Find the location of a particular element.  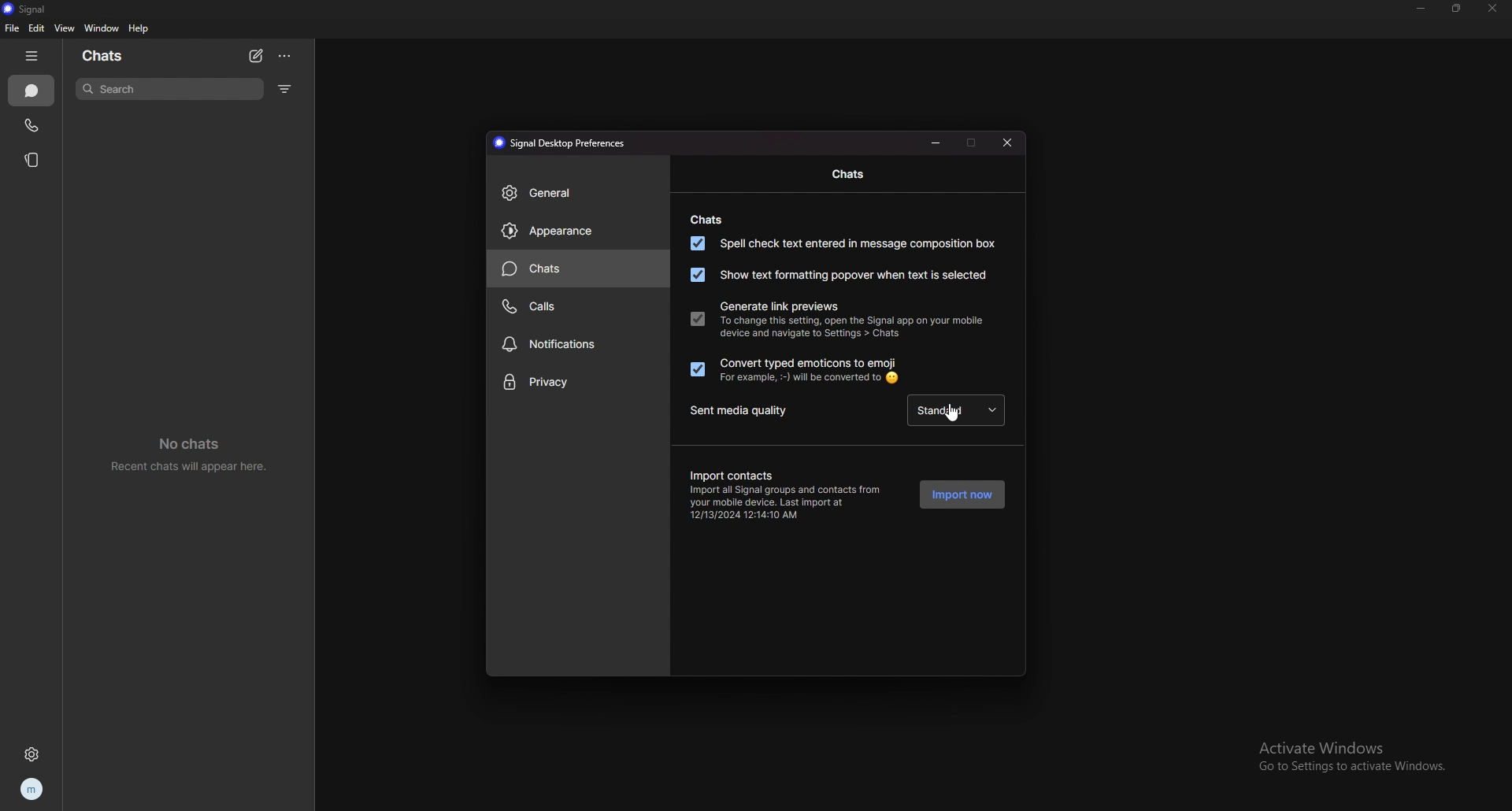

import contacts is located at coordinates (730, 473).